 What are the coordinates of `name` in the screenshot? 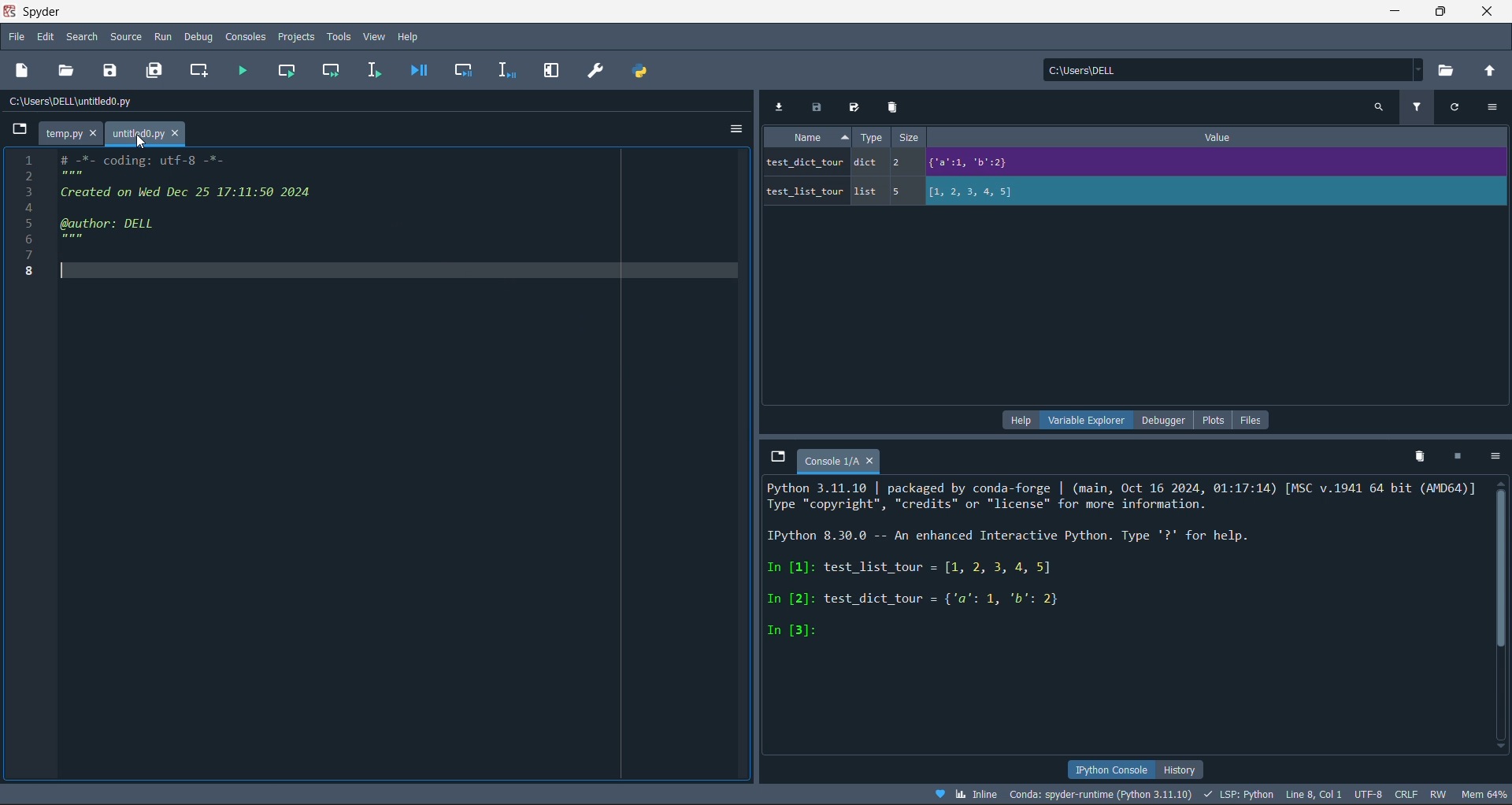 It's located at (807, 139).